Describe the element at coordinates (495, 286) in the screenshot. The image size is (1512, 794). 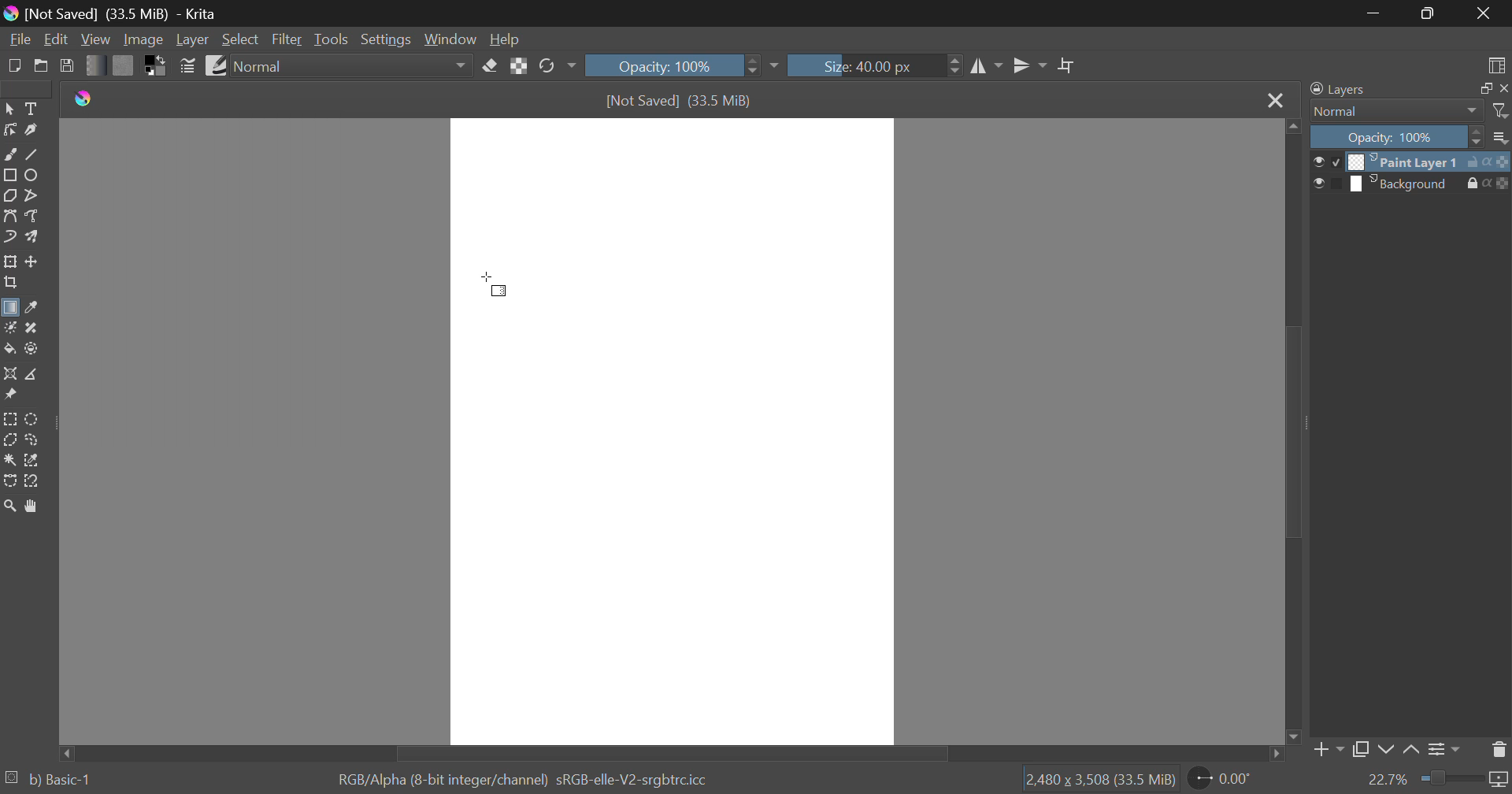
I see `cursor` at that location.